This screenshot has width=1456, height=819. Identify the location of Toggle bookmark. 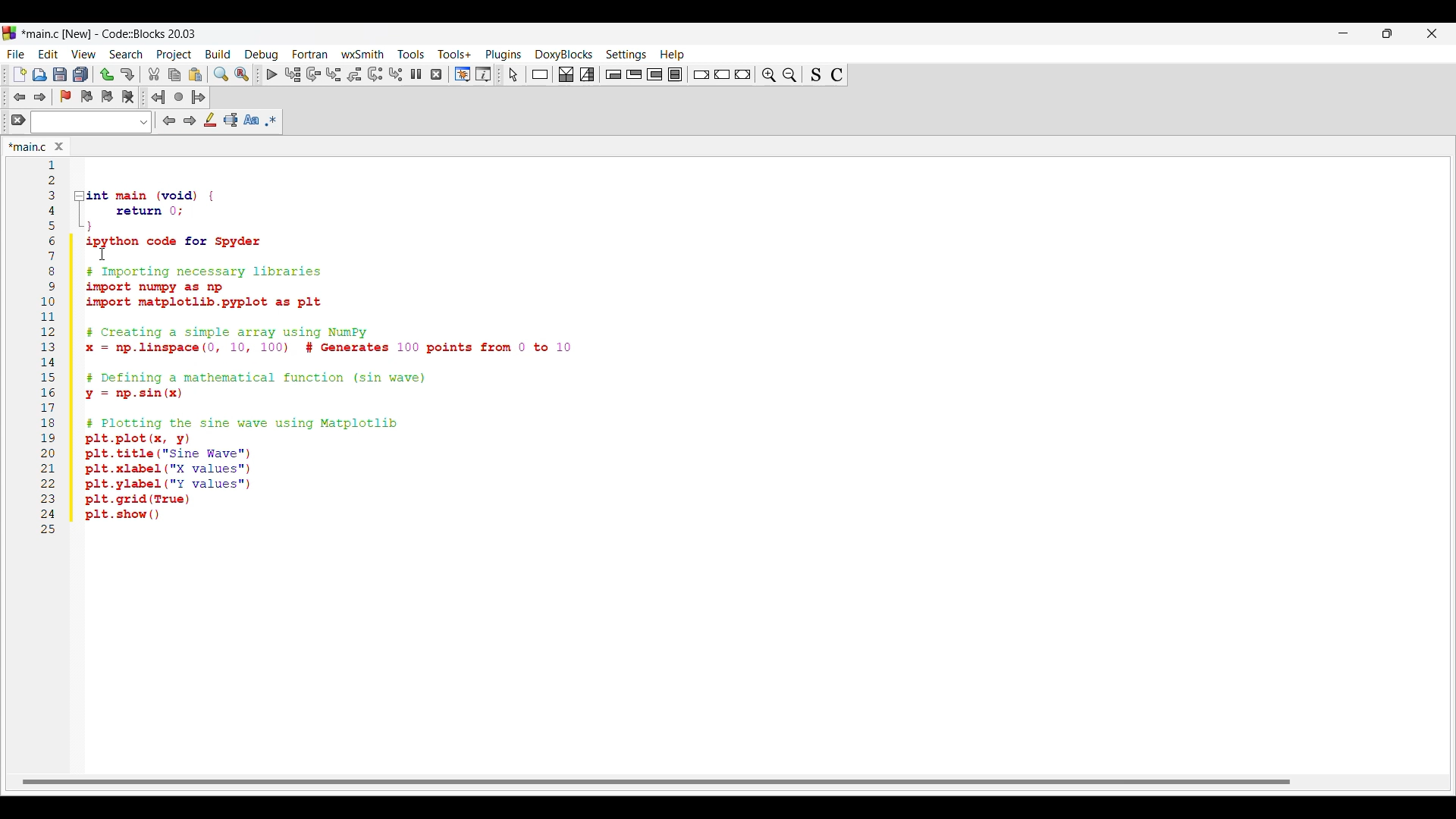
(66, 96).